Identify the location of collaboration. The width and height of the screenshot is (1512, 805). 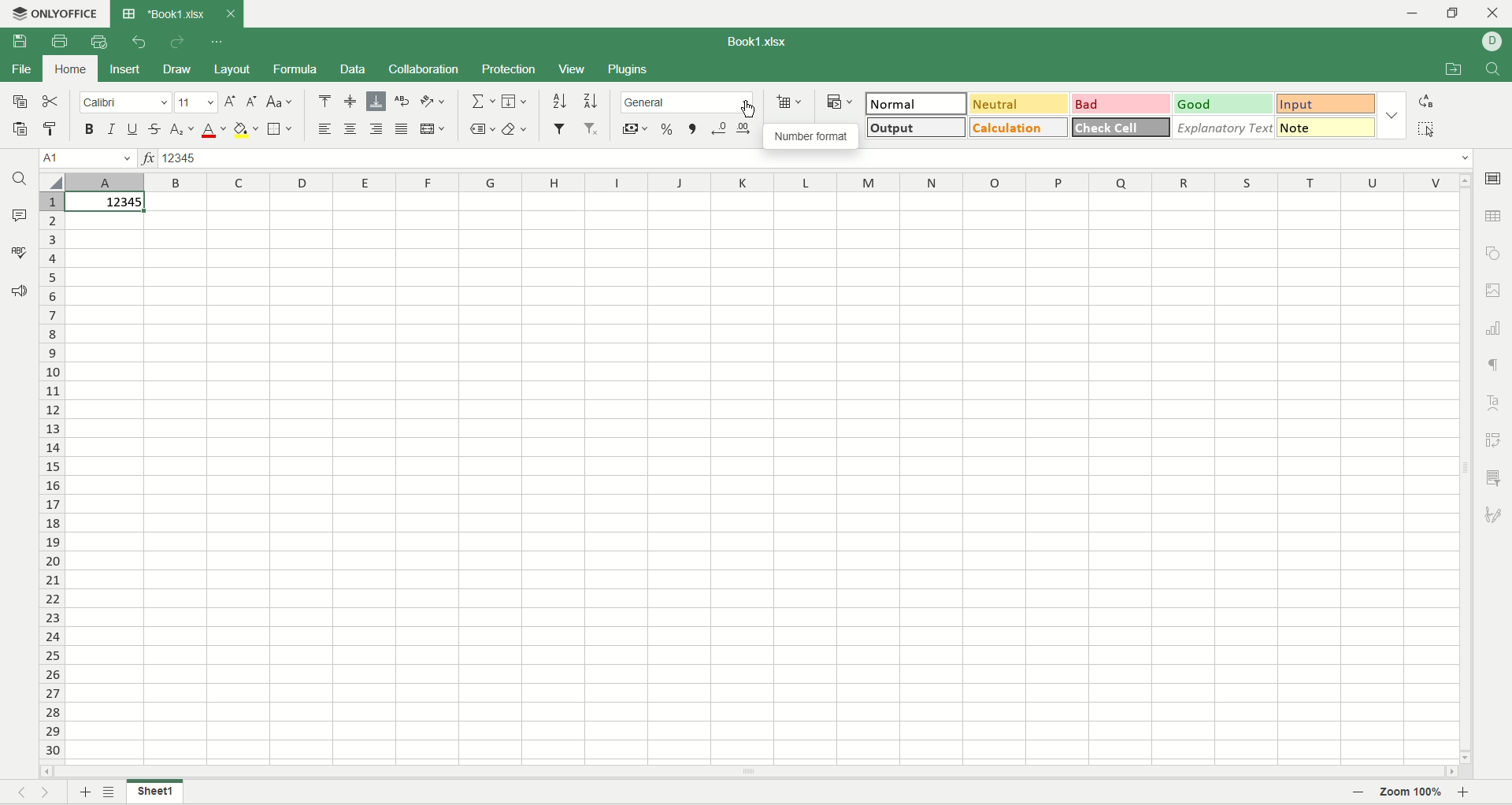
(424, 70).